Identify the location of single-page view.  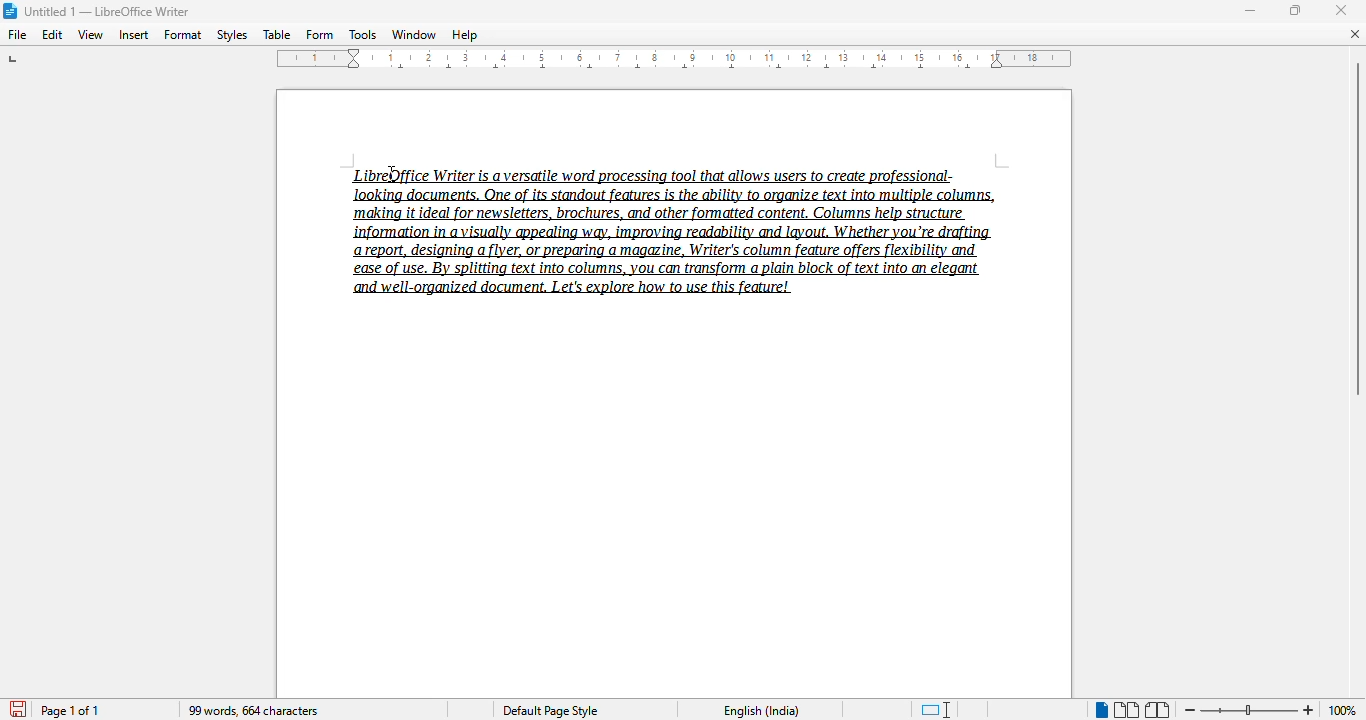
(1100, 711).